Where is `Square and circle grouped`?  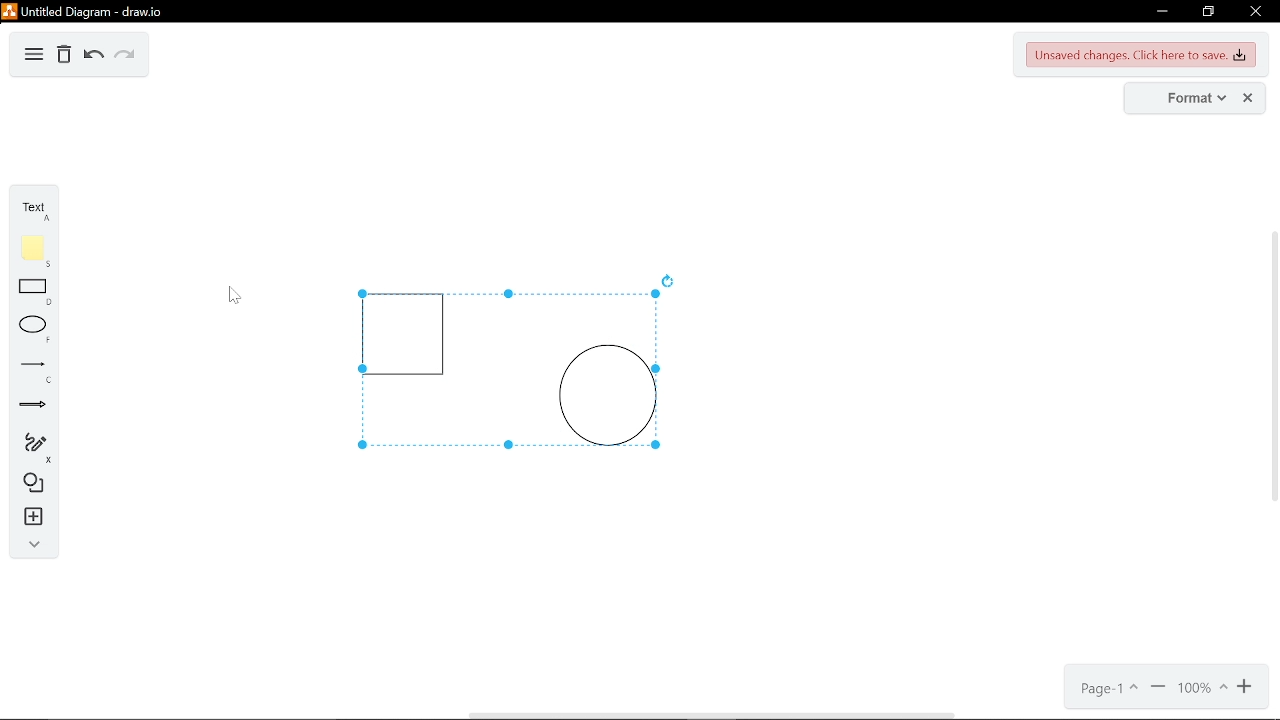
Square and circle grouped is located at coordinates (498, 374).